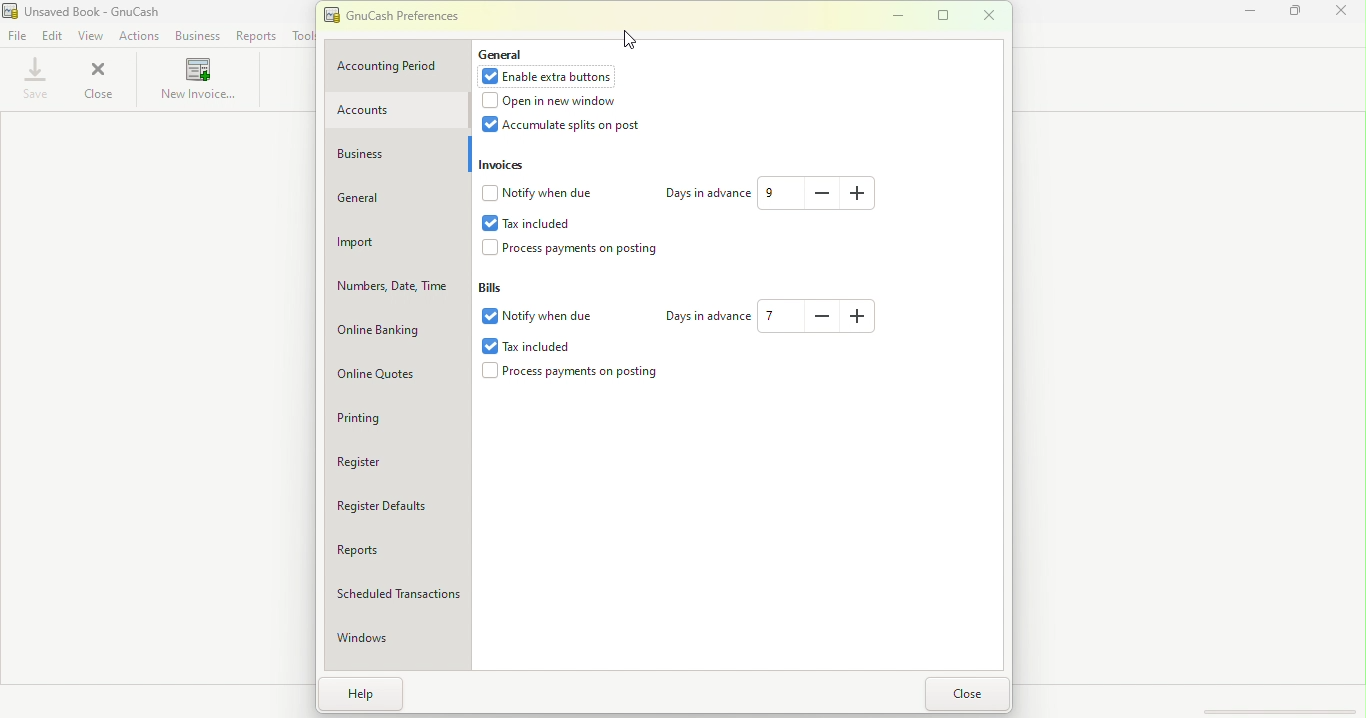  What do you see at coordinates (1295, 14) in the screenshot?
I see `Maximize` at bounding box center [1295, 14].